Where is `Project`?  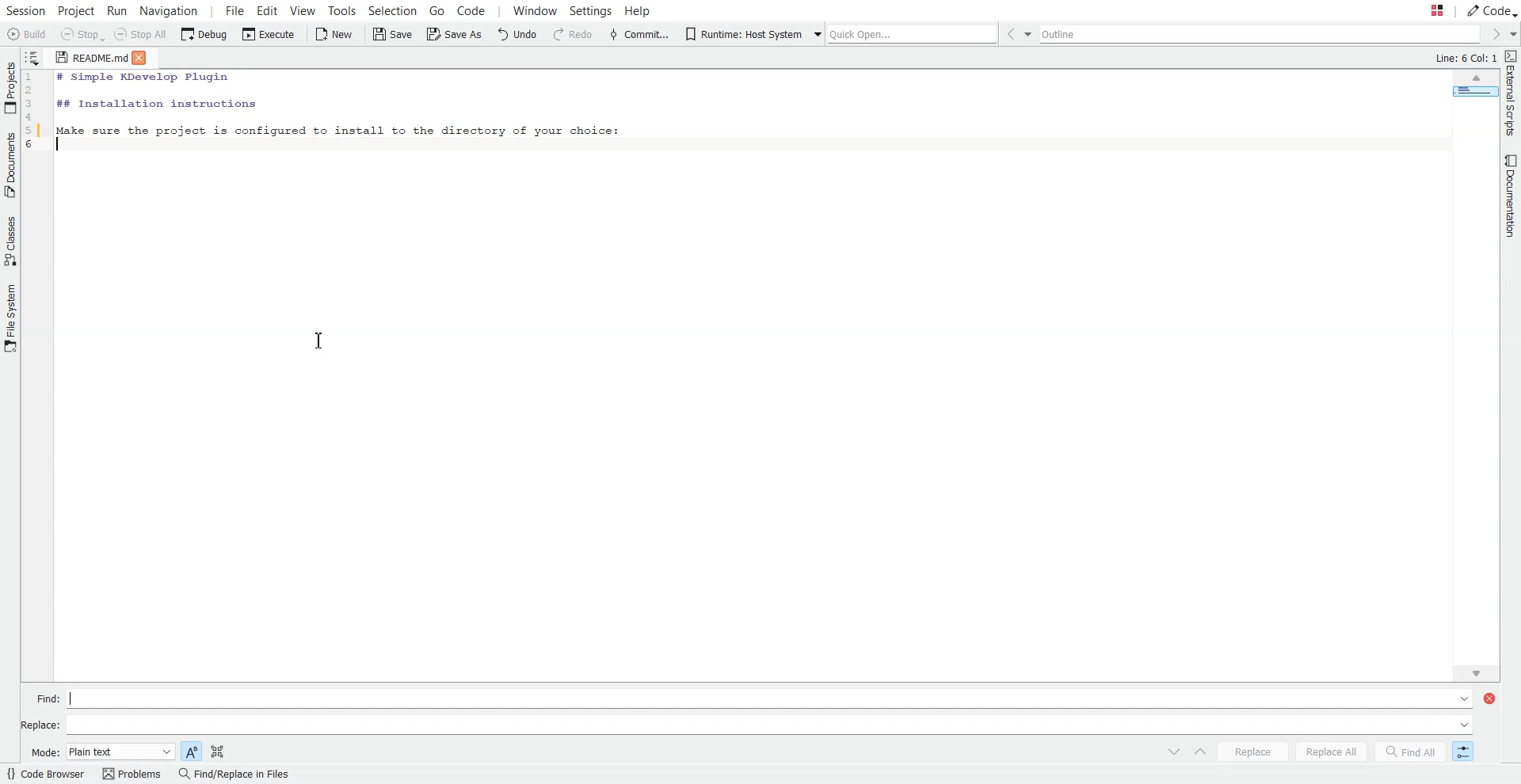
Project is located at coordinates (77, 10).